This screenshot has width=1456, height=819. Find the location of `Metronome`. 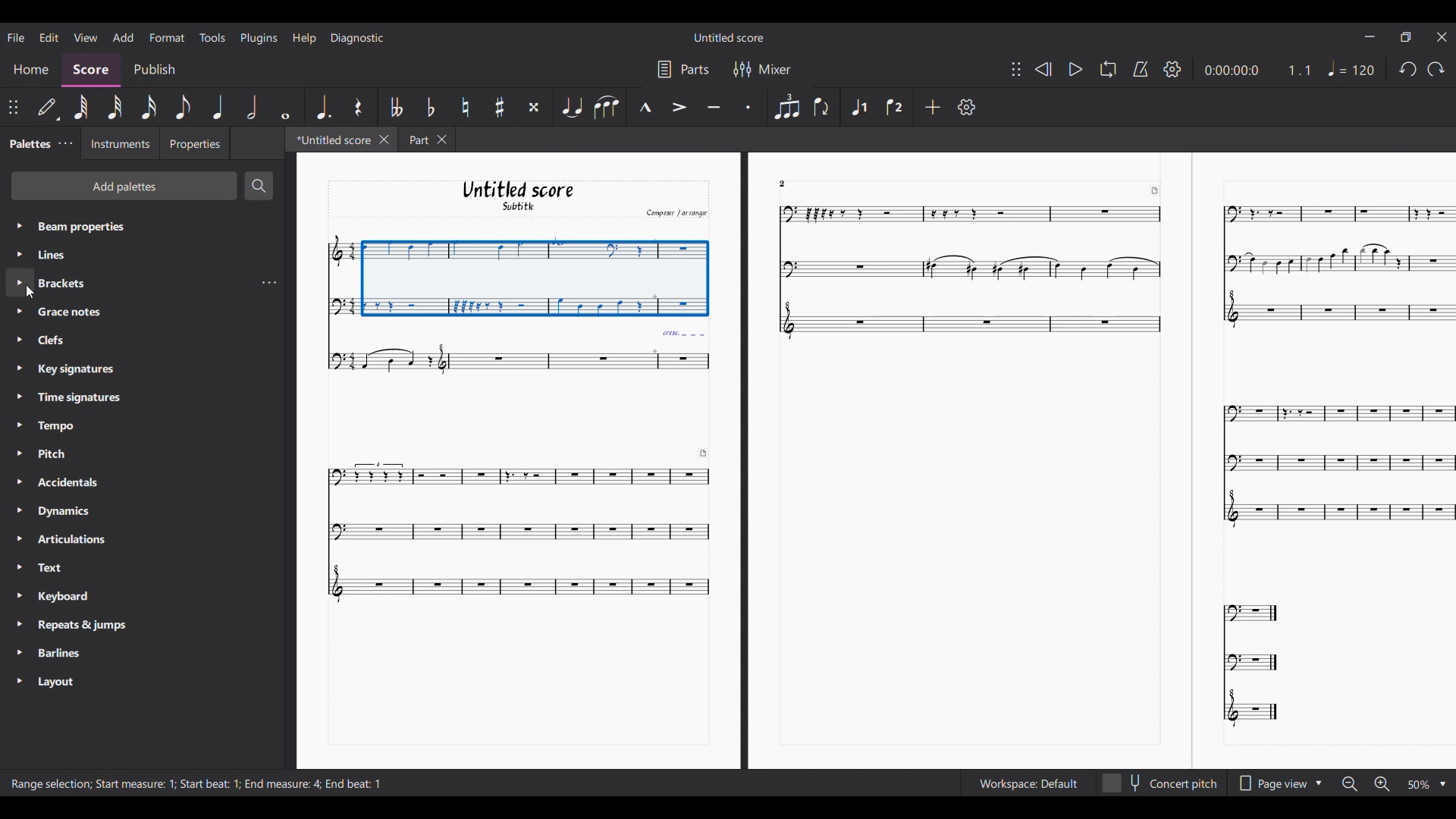

Metronome is located at coordinates (1141, 69).